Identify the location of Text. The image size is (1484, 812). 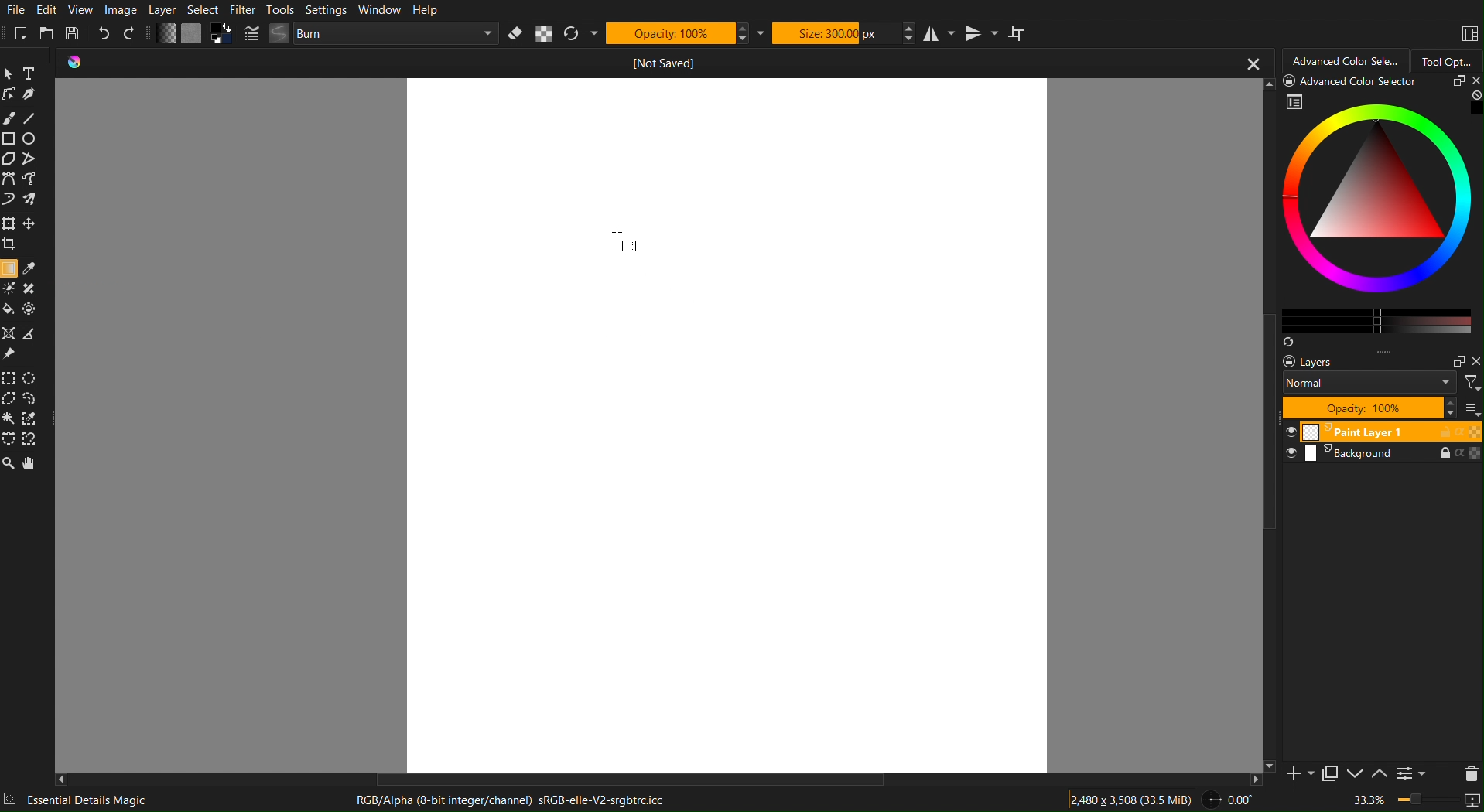
(33, 73).